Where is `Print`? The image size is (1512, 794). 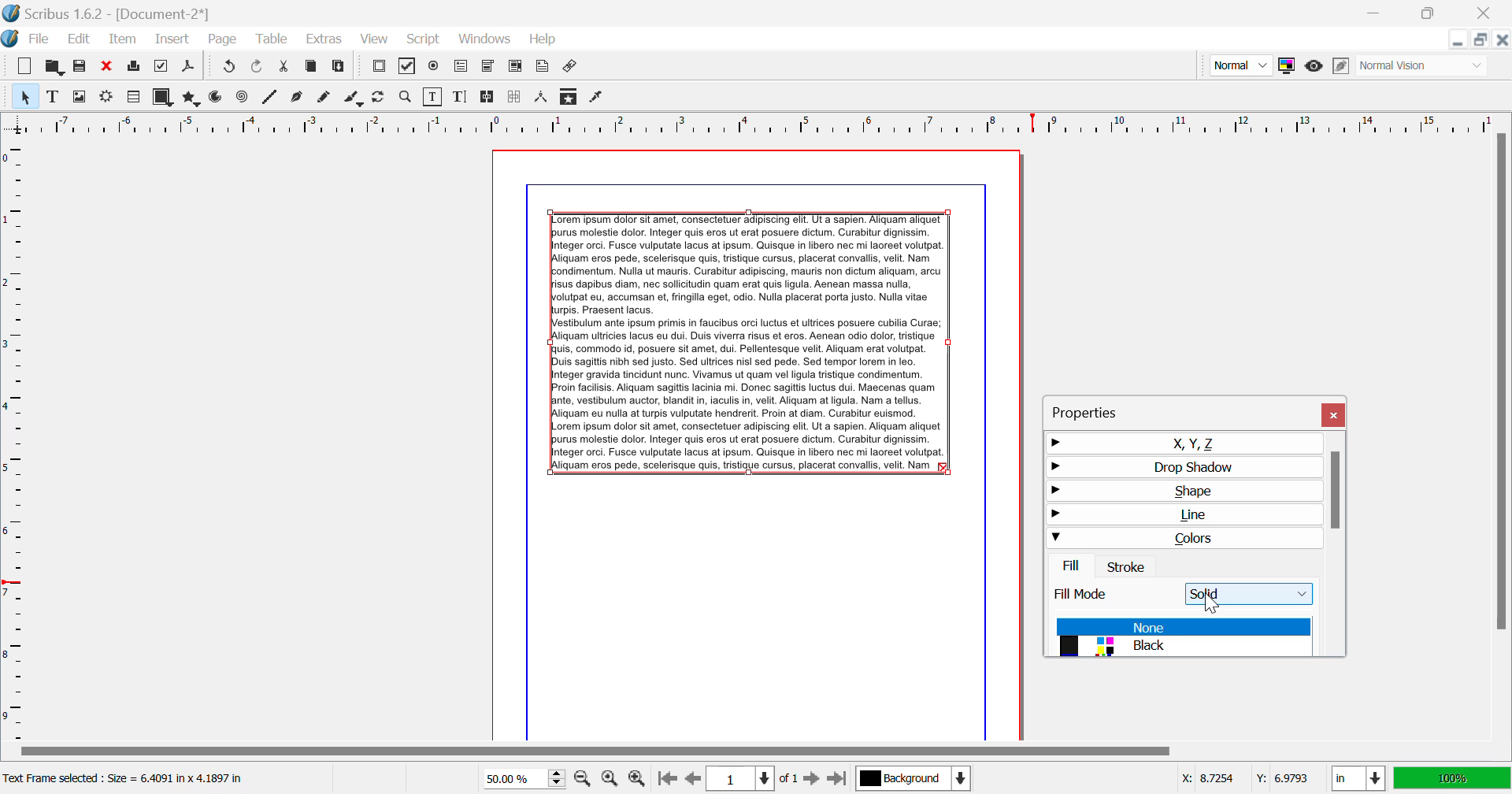 Print is located at coordinates (135, 66).